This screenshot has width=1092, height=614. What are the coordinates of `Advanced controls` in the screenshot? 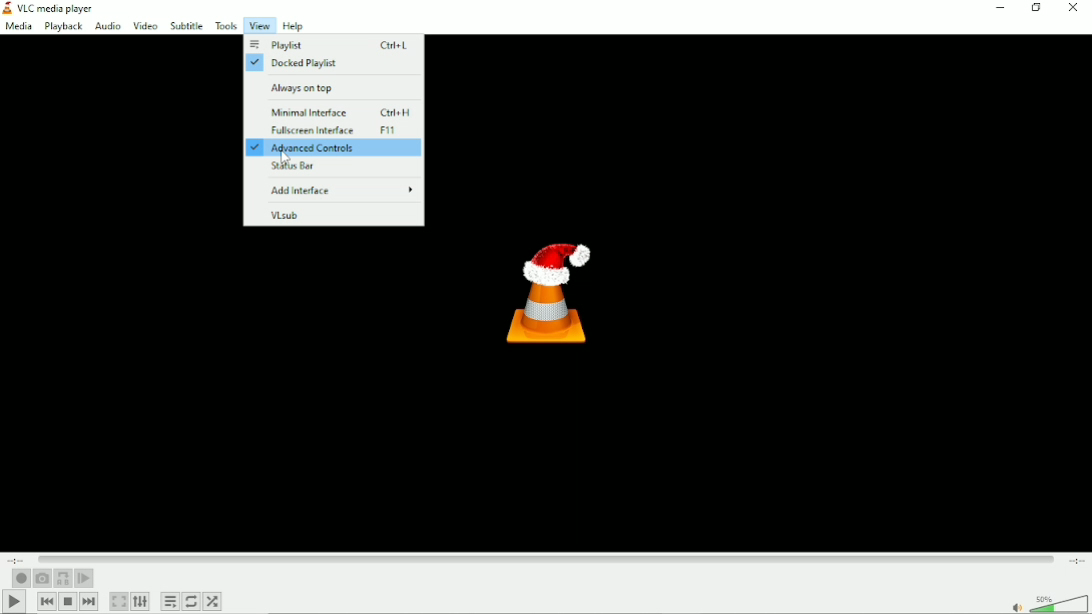 It's located at (334, 148).